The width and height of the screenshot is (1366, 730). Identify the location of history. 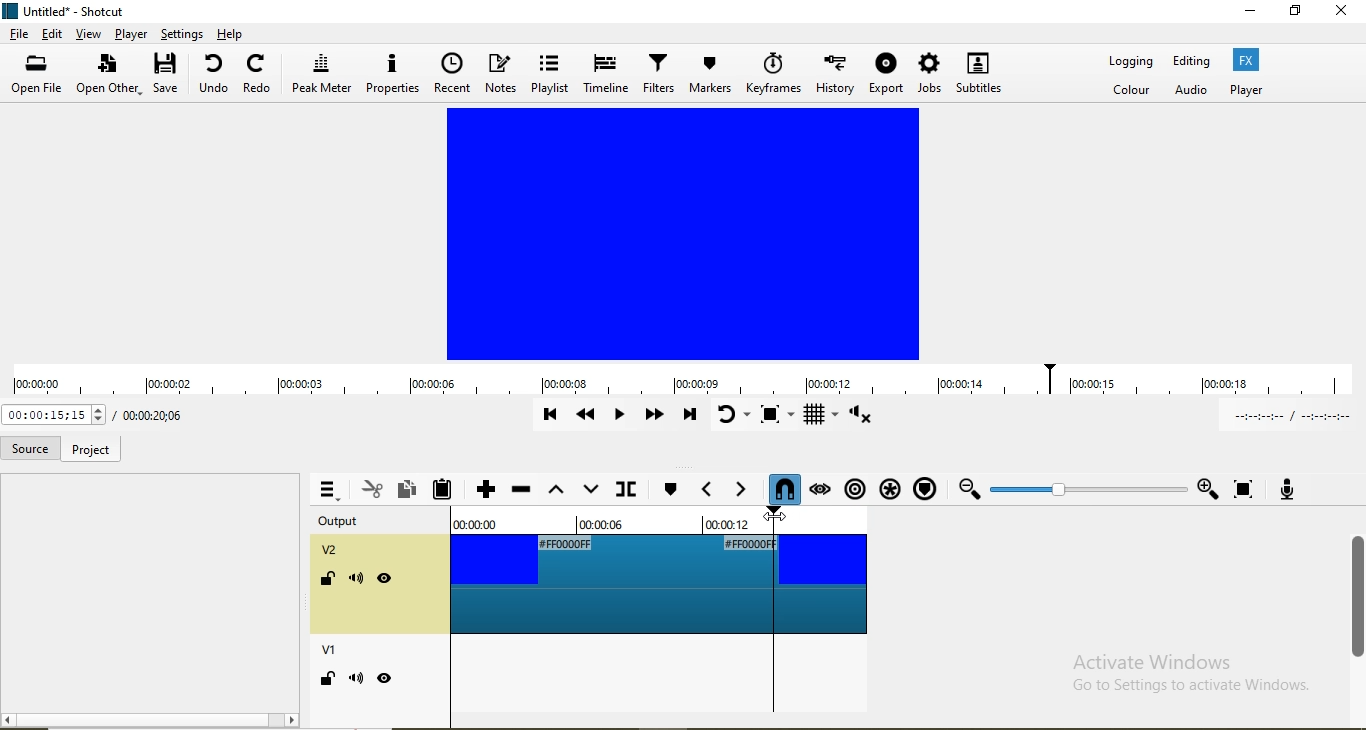
(836, 71).